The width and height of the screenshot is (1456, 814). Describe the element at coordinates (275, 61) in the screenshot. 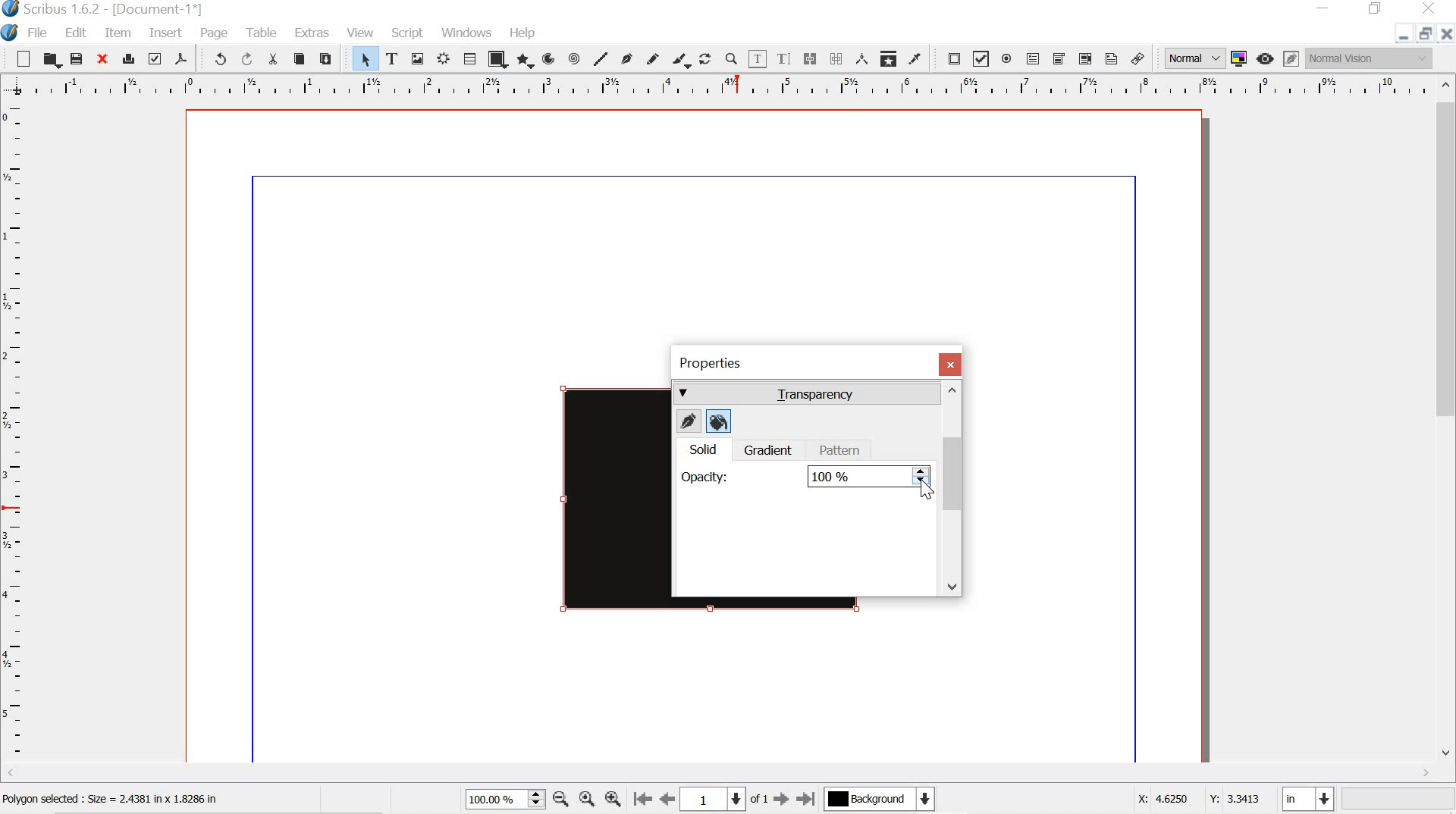

I see `cut` at that location.